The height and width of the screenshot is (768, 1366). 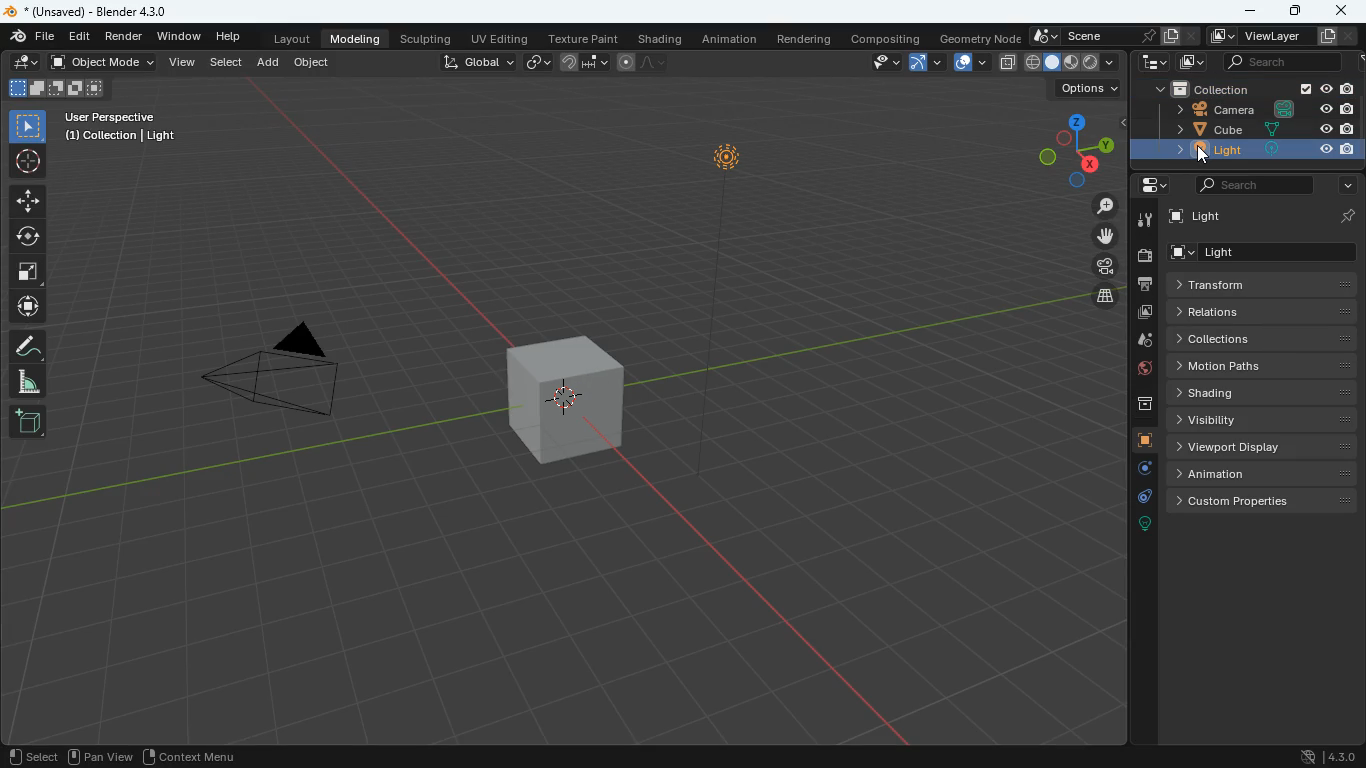 What do you see at coordinates (1106, 37) in the screenshot?
I see `scene` at bounding box center [1106, 37].